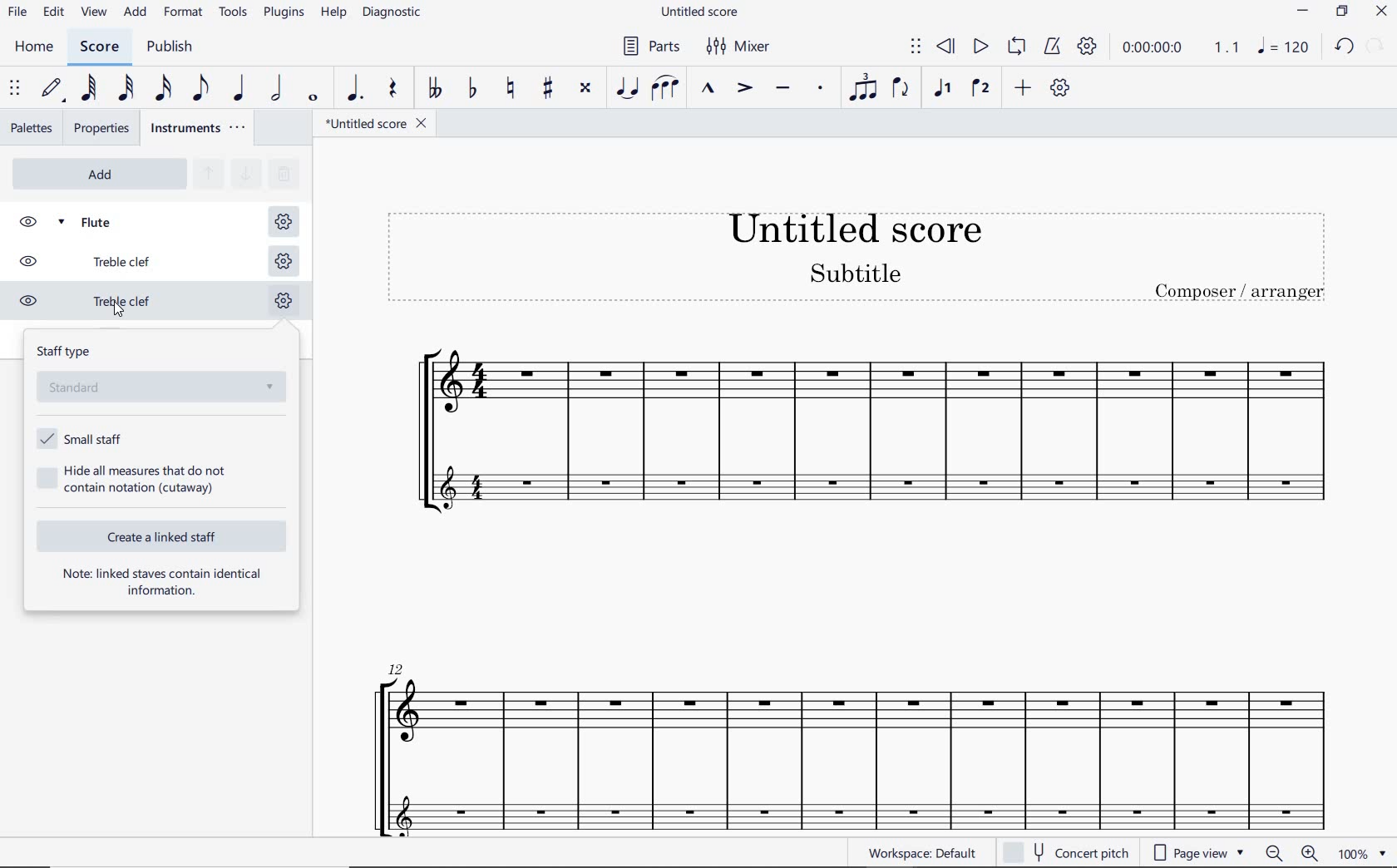 The width and height of the screenshot is (1397, 868). I want to click on 32ND NOTE, so click(126, 89).